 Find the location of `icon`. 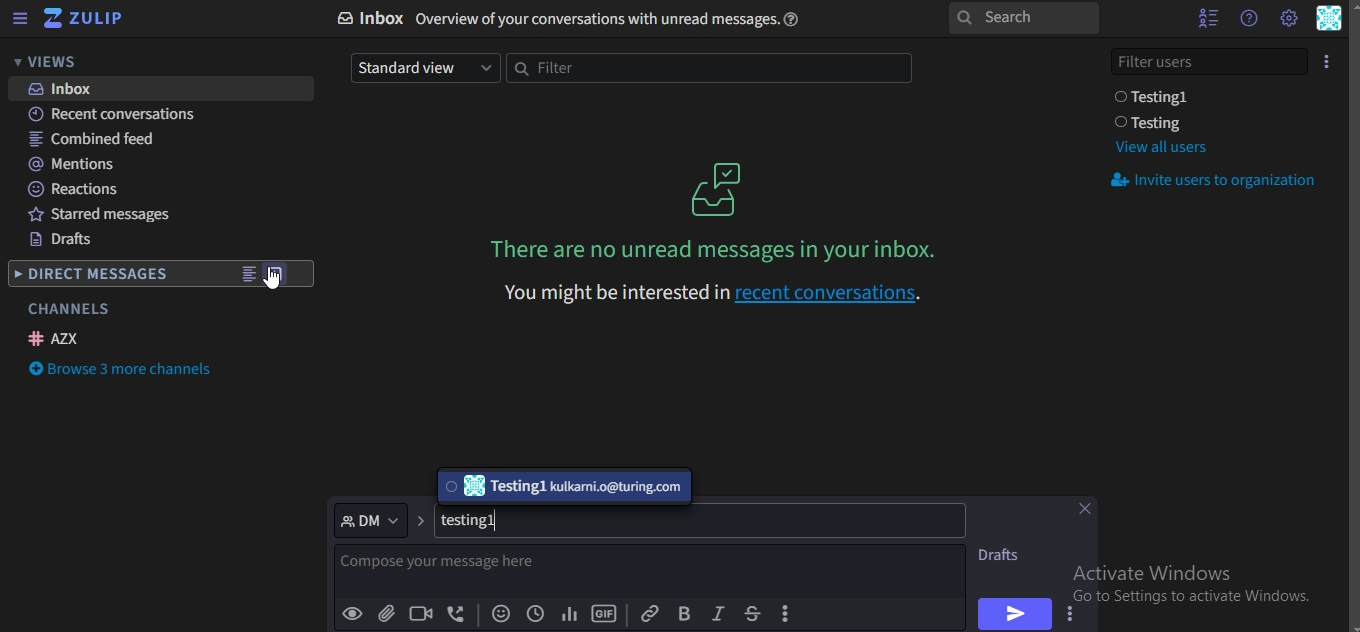

icon is located at coordinates (85, 19).